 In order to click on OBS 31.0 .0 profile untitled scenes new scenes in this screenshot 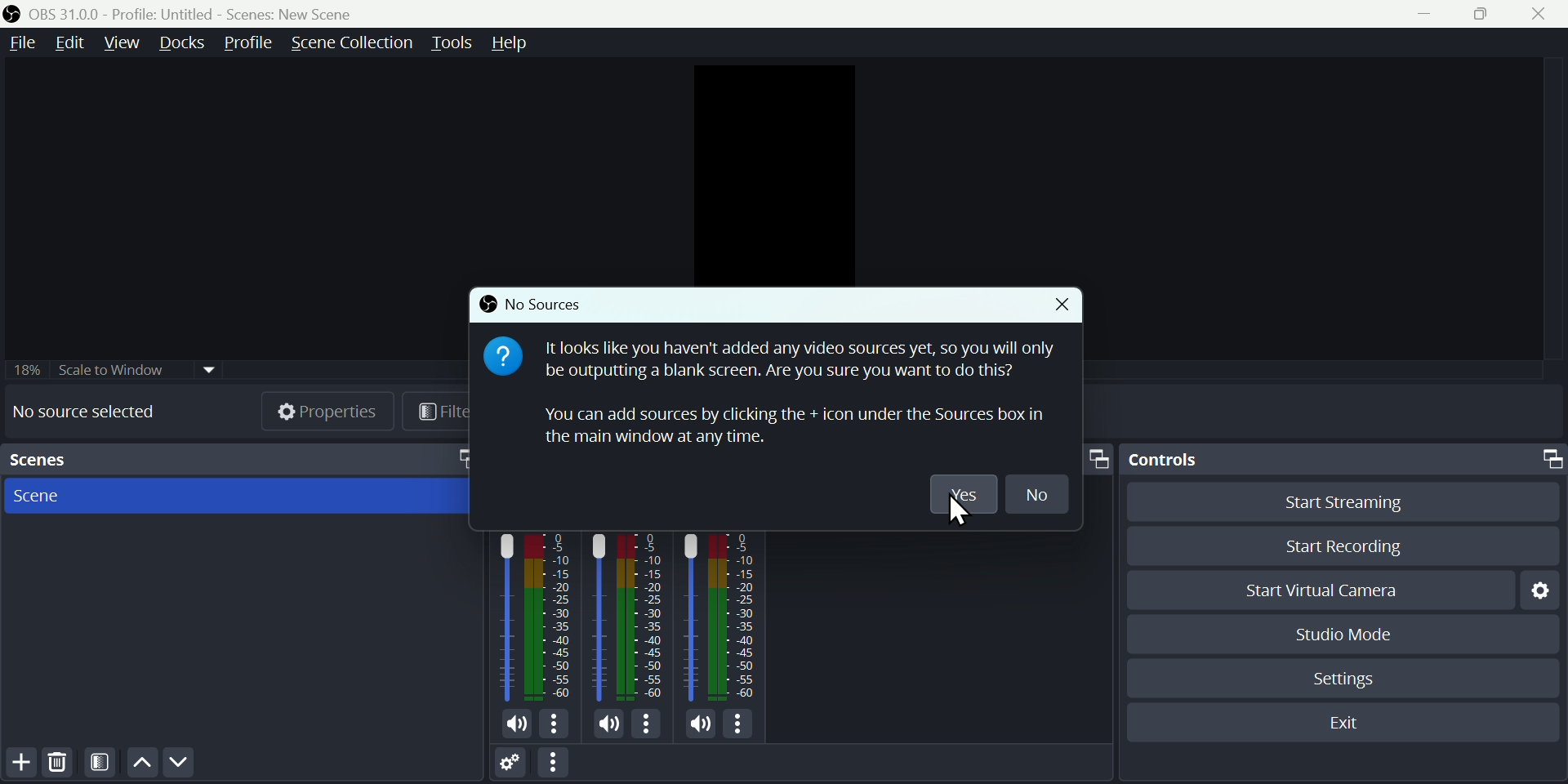, I will do `click(186, 14)`.